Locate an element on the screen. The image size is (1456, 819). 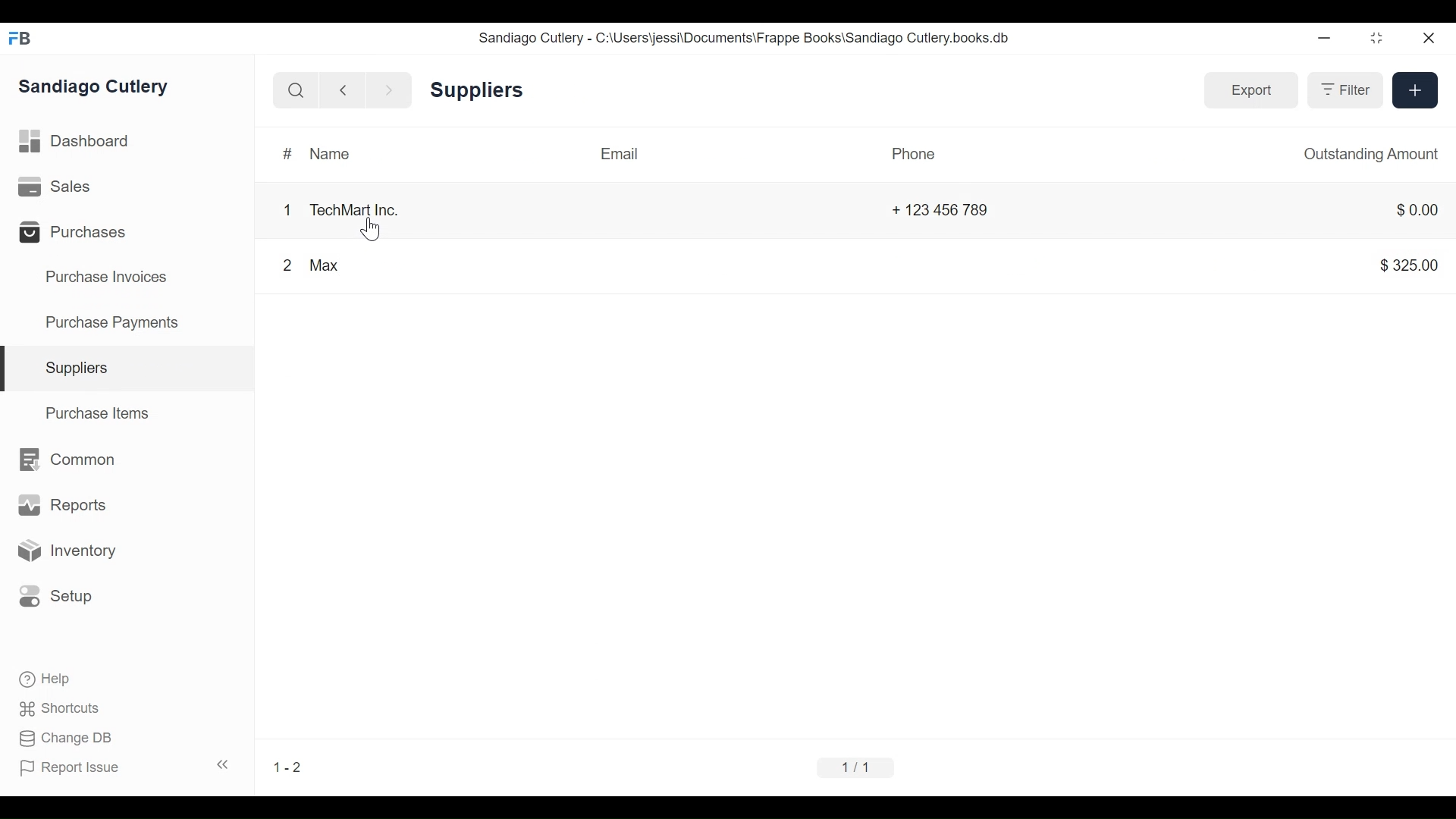
Supplies is located at coordinates (82, 368).